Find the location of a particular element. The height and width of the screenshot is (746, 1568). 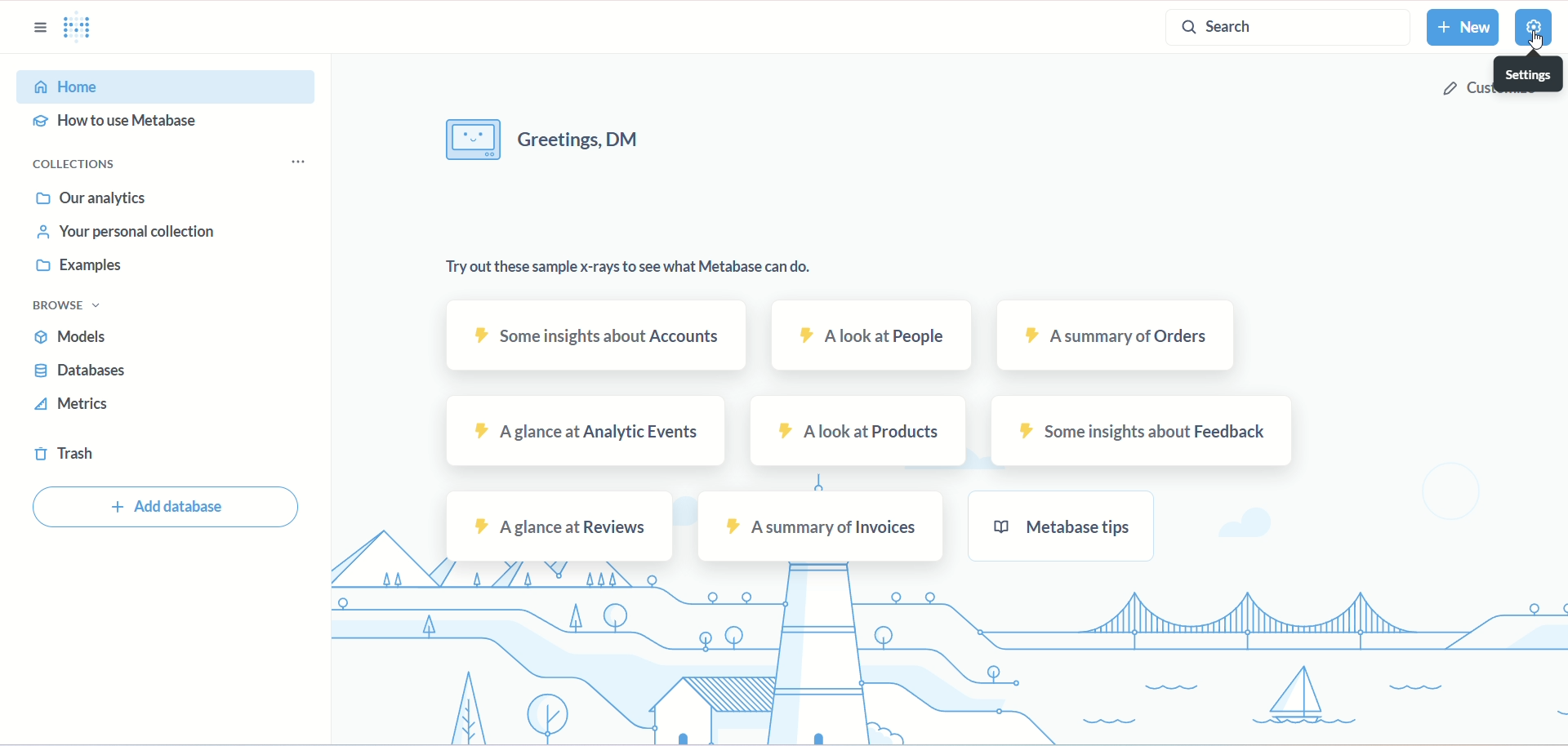

search is located at coordinates (1285, 25).